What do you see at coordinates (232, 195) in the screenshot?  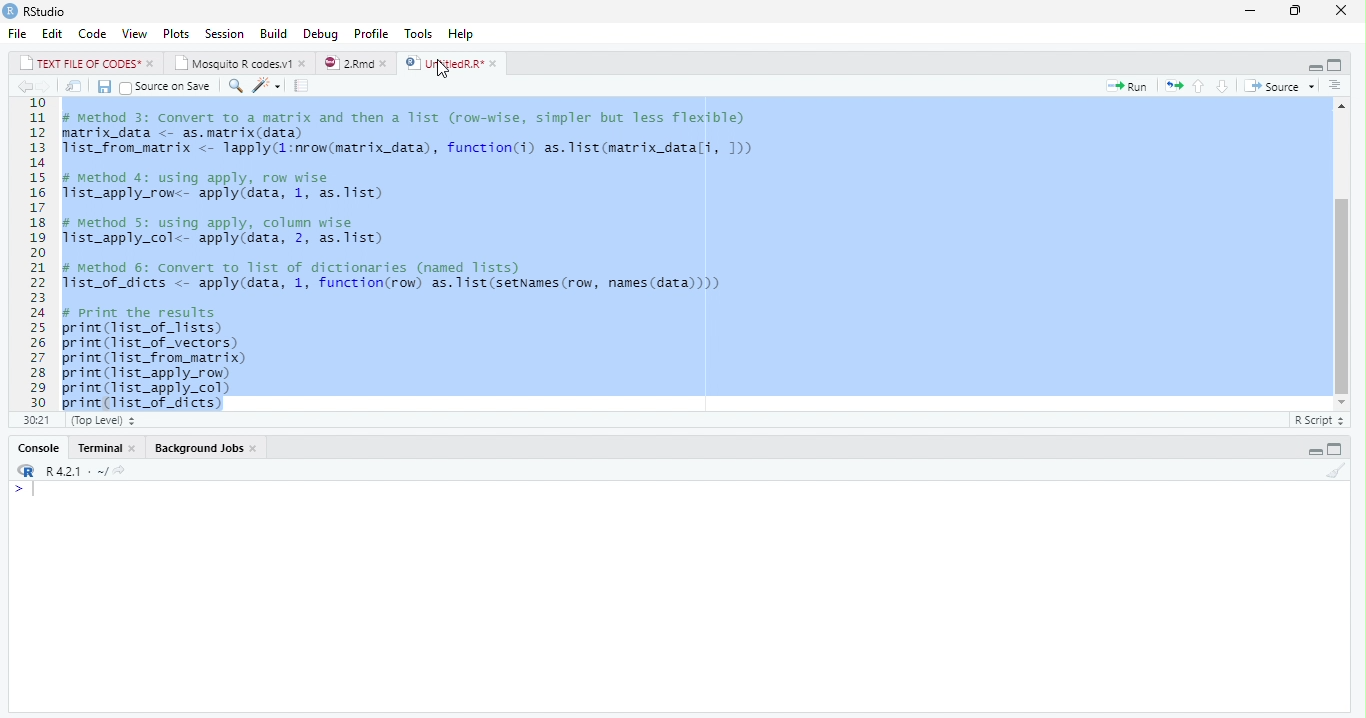 I see `list_apply_row<- apply(data, 1, as.list)` at bounding box center [232, 195].